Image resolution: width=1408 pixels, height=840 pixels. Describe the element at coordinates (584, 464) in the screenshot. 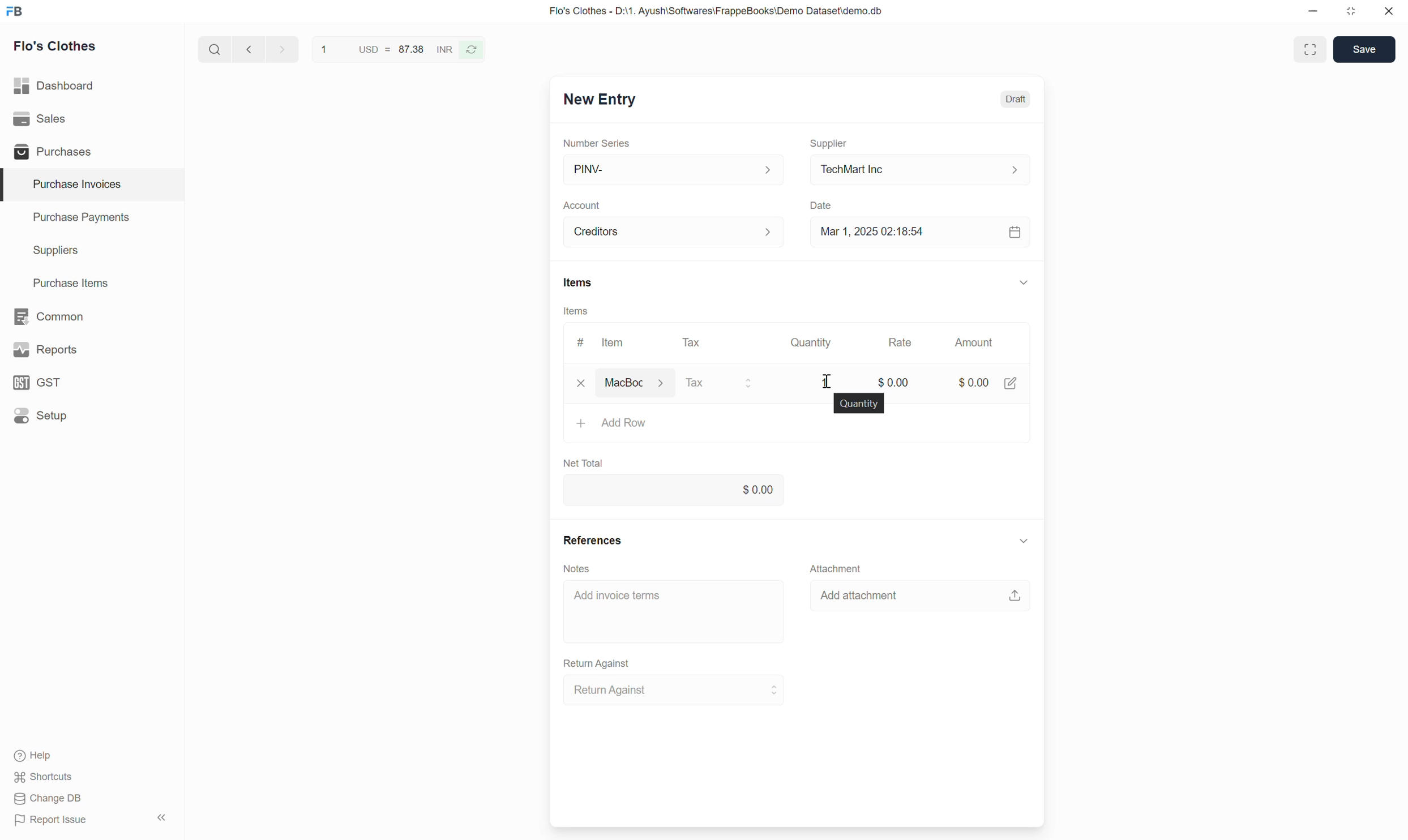

I see `Net Total` at that location.